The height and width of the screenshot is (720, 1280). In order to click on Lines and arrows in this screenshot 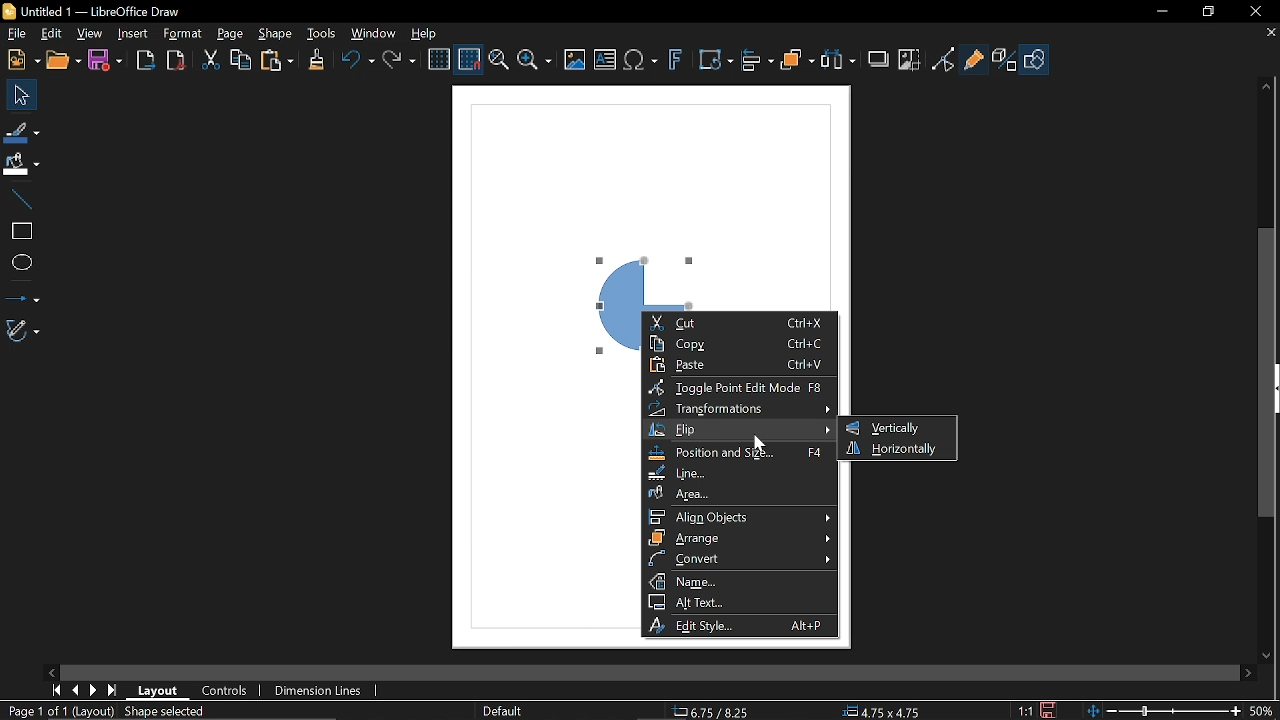, I will do `click(22, 295)`.